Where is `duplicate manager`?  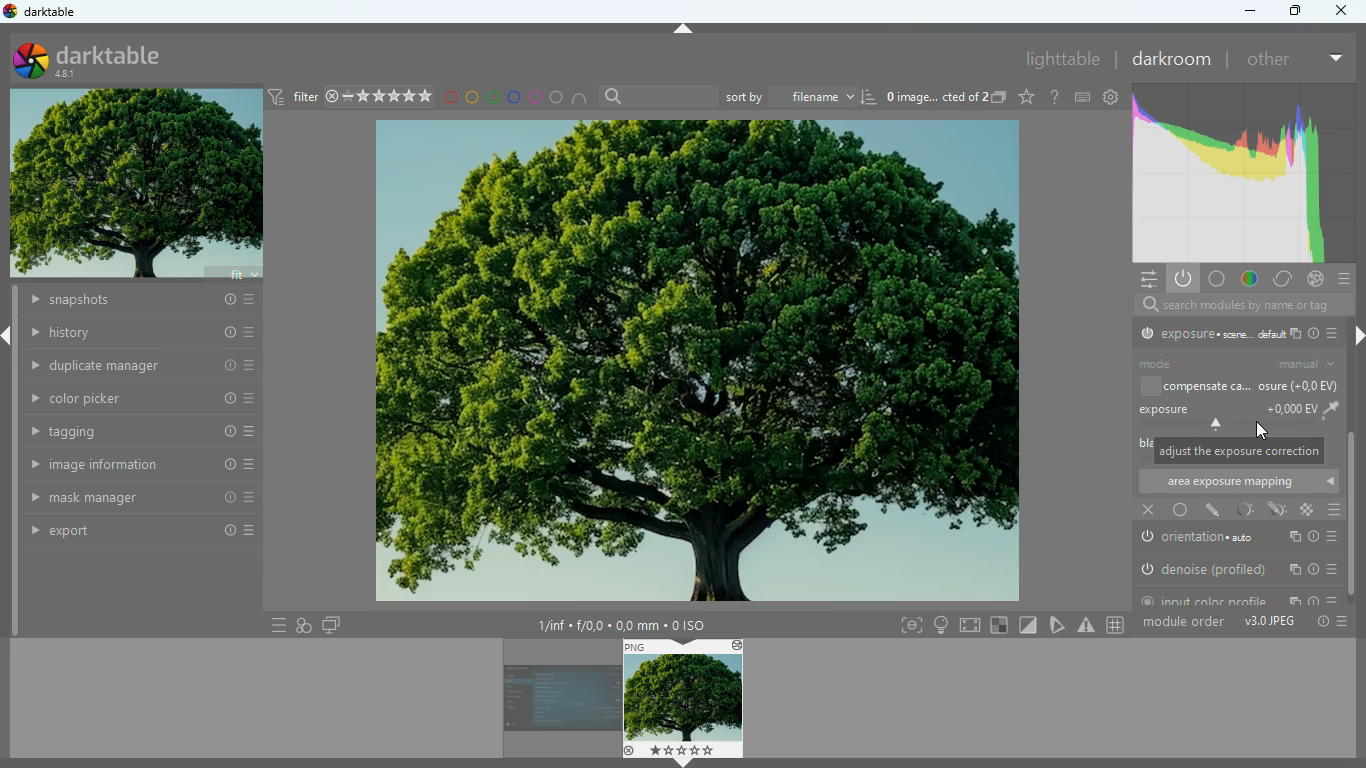
duplicate manager is located at coordinates (141, 366).